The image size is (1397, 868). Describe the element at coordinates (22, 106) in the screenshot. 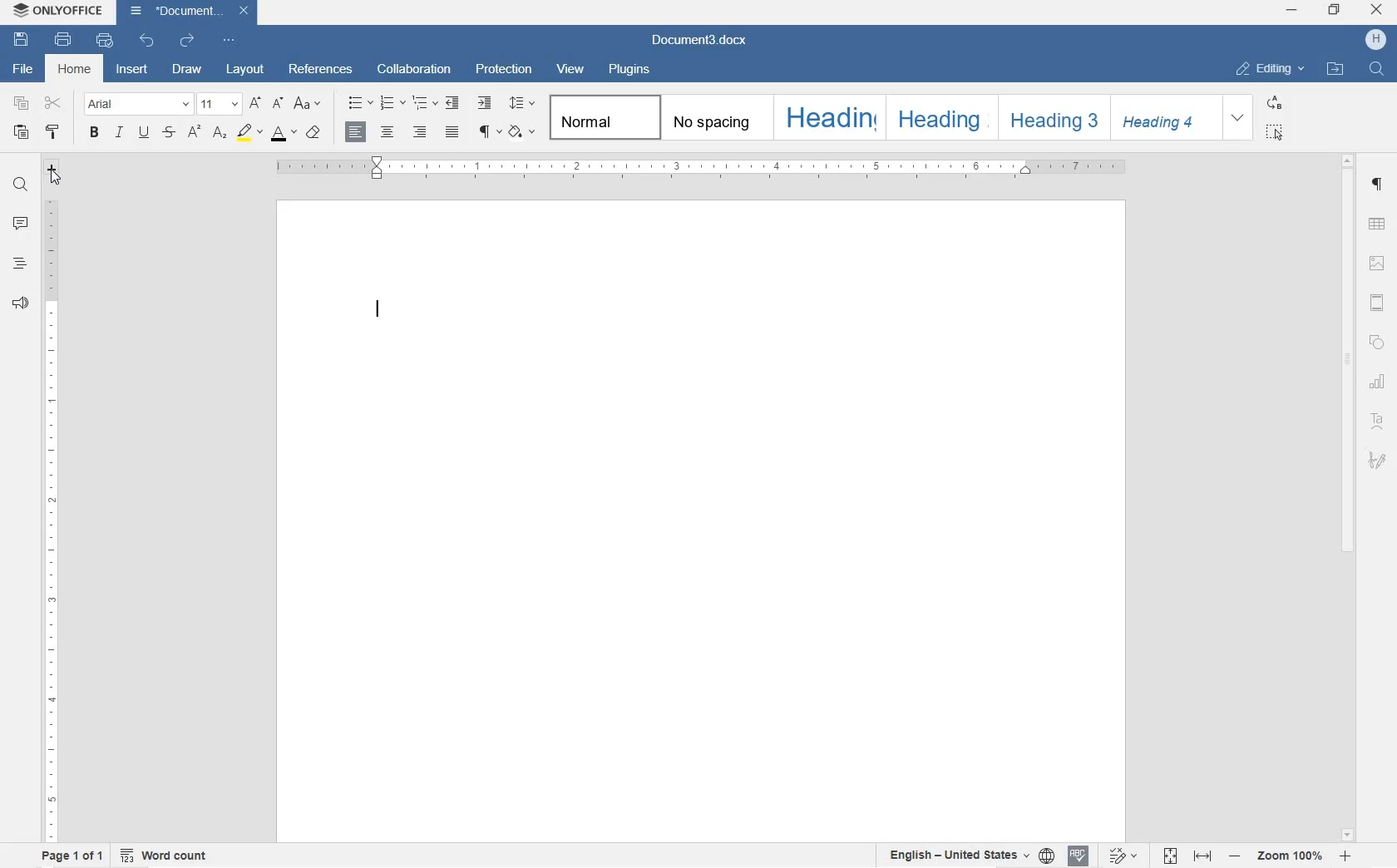

I see `COPY` at that location.